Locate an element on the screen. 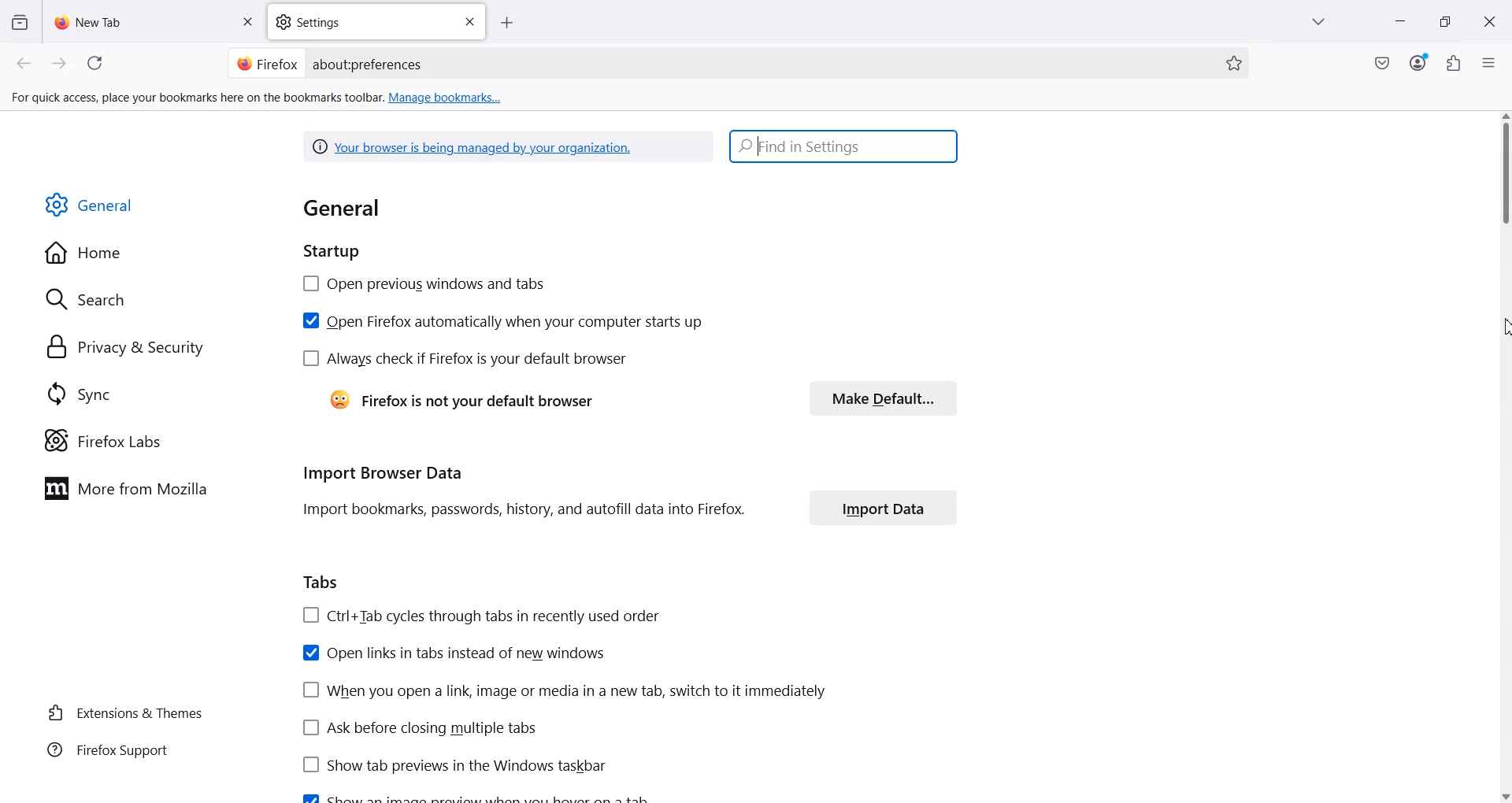 The height and width of the screenshot is (803, 1512). Backward is located at coordinates (25, 64).